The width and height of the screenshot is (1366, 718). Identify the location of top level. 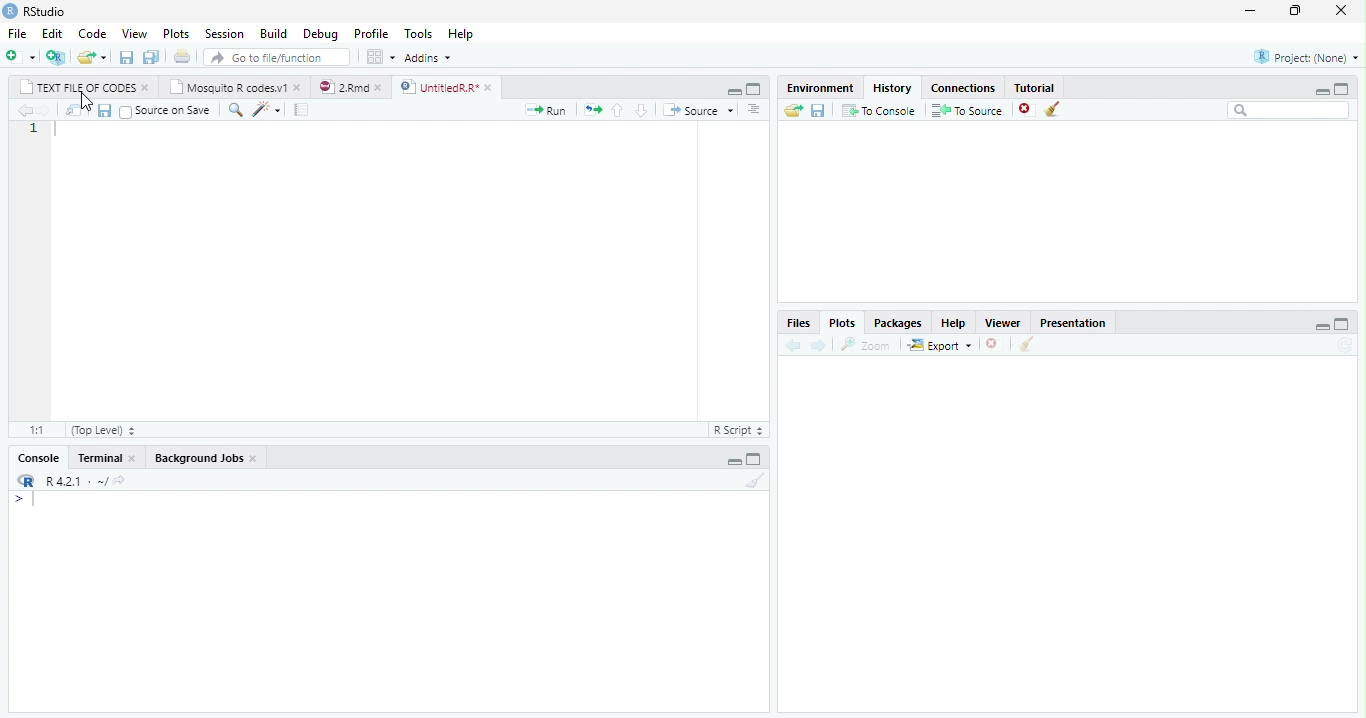
(101, 429).